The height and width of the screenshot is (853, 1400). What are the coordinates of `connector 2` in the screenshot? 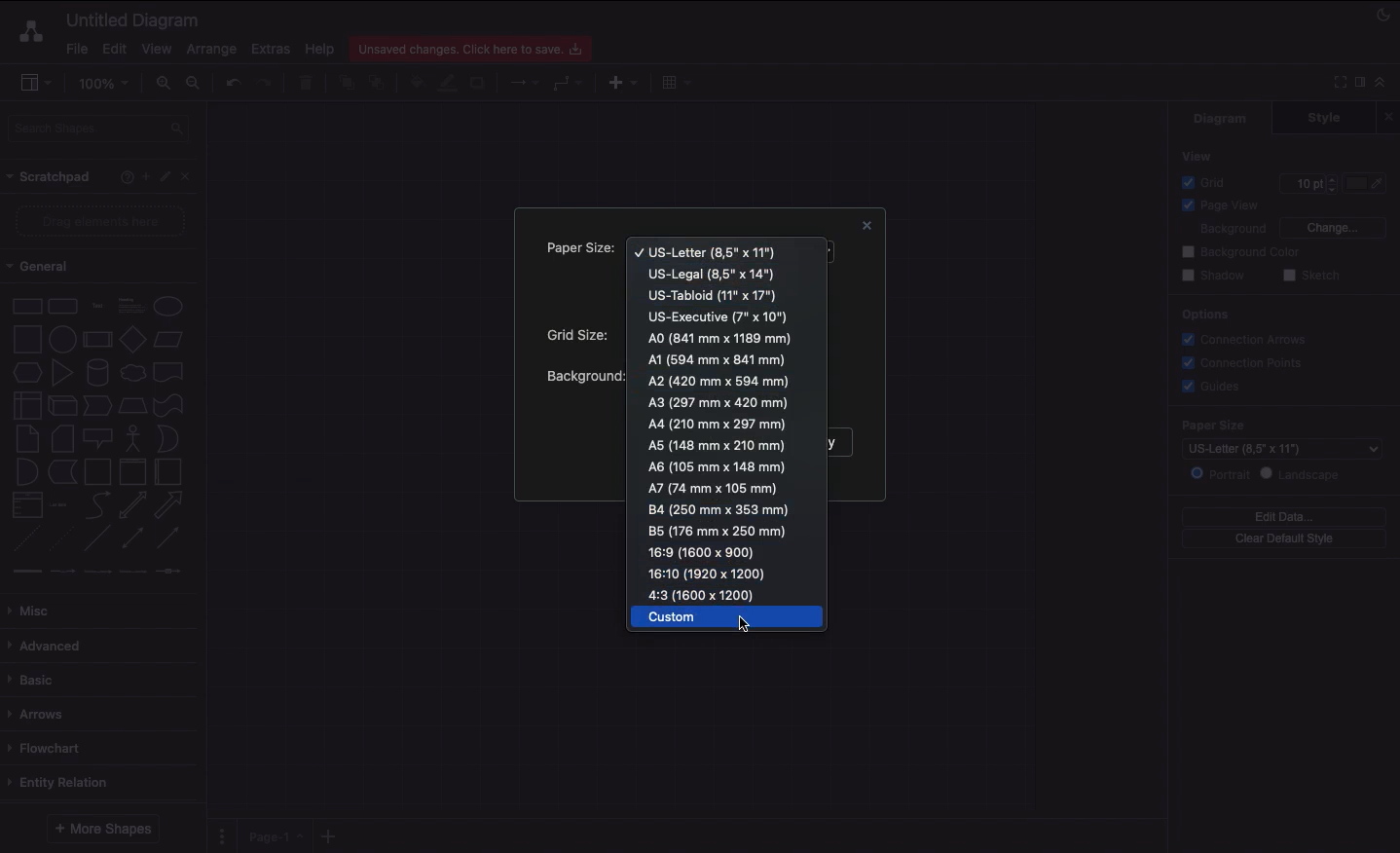 It's located at (62, 572).